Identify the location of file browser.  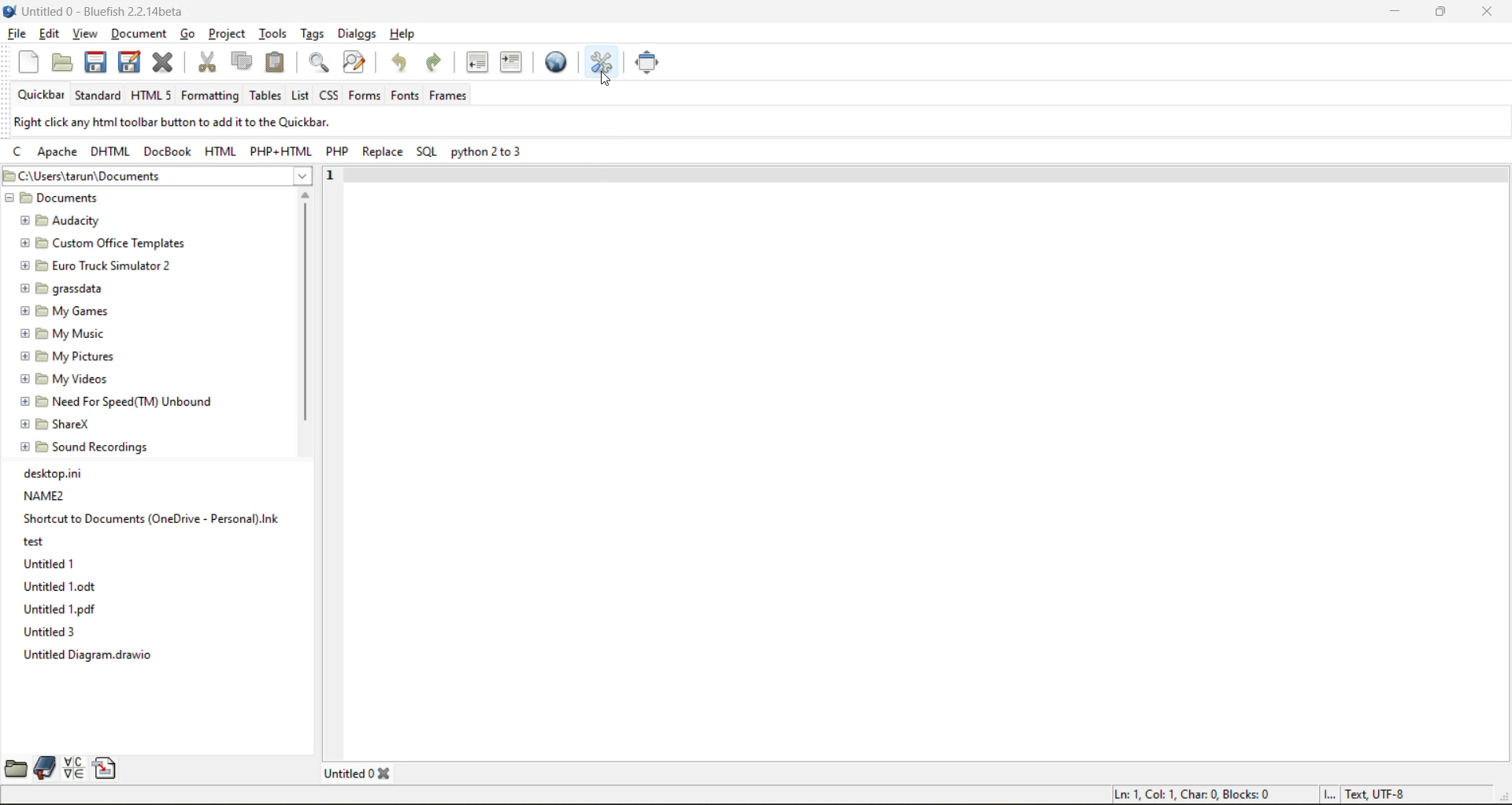
(13, 770).